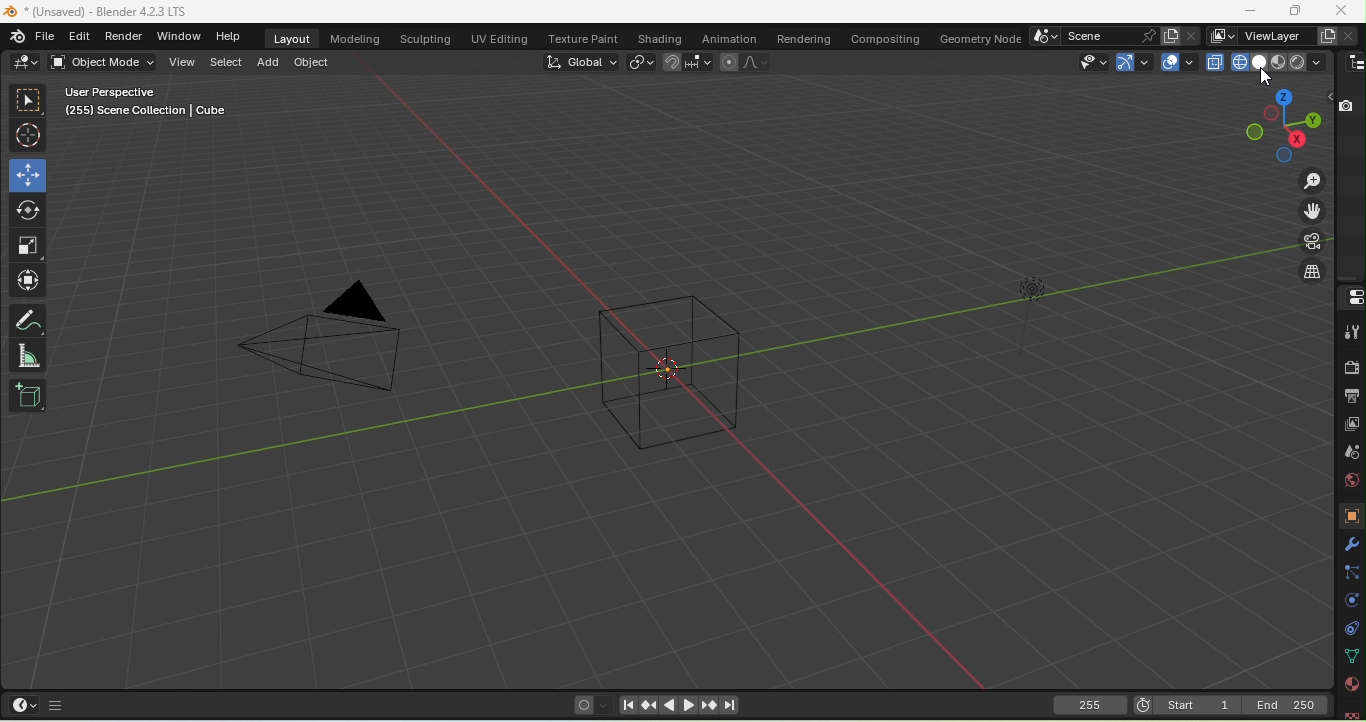  I want to click on Add, so click(267, 62).